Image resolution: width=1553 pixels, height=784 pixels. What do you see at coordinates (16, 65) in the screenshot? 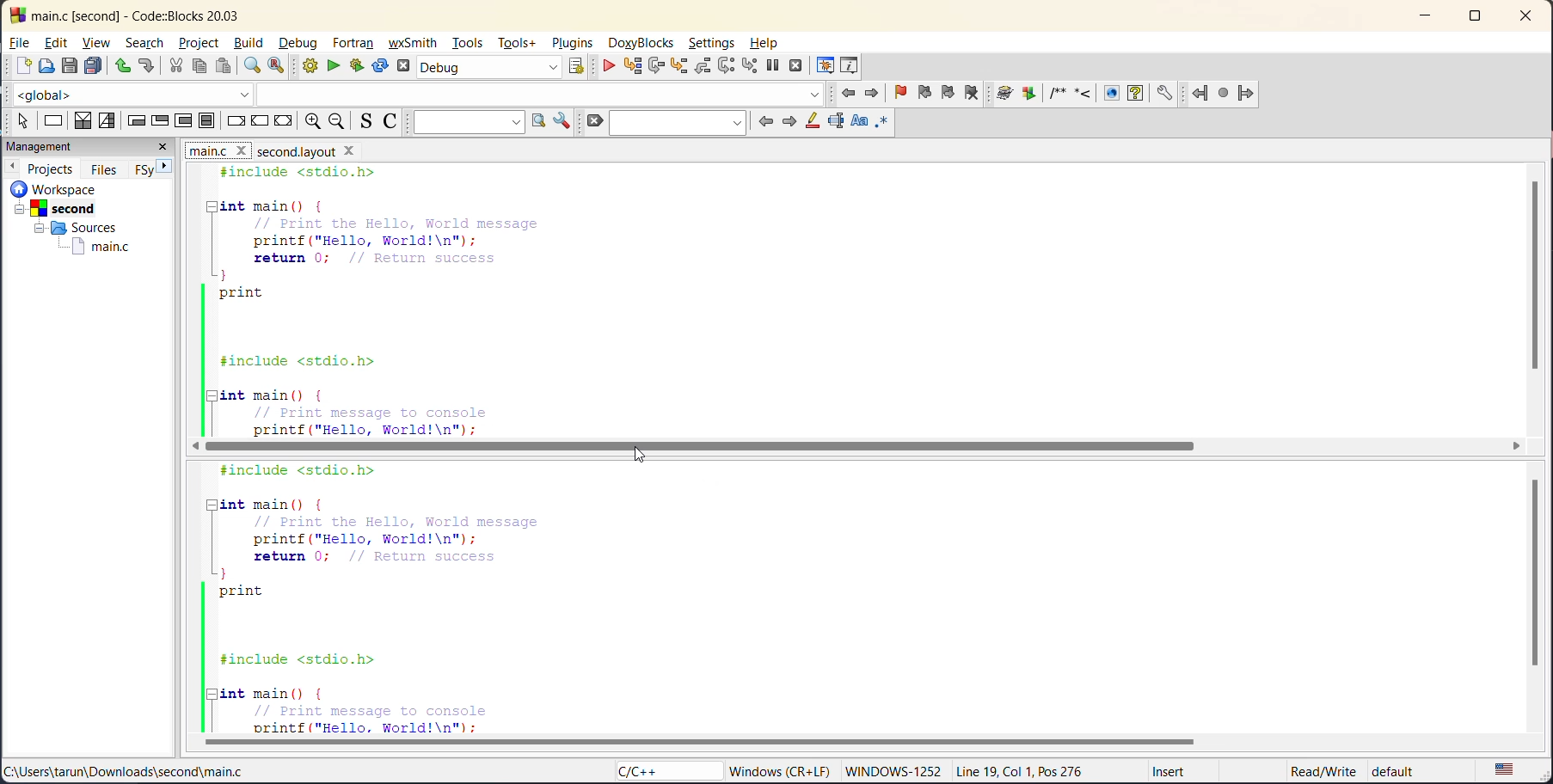
I see `new` at bounding box center [16, 65].